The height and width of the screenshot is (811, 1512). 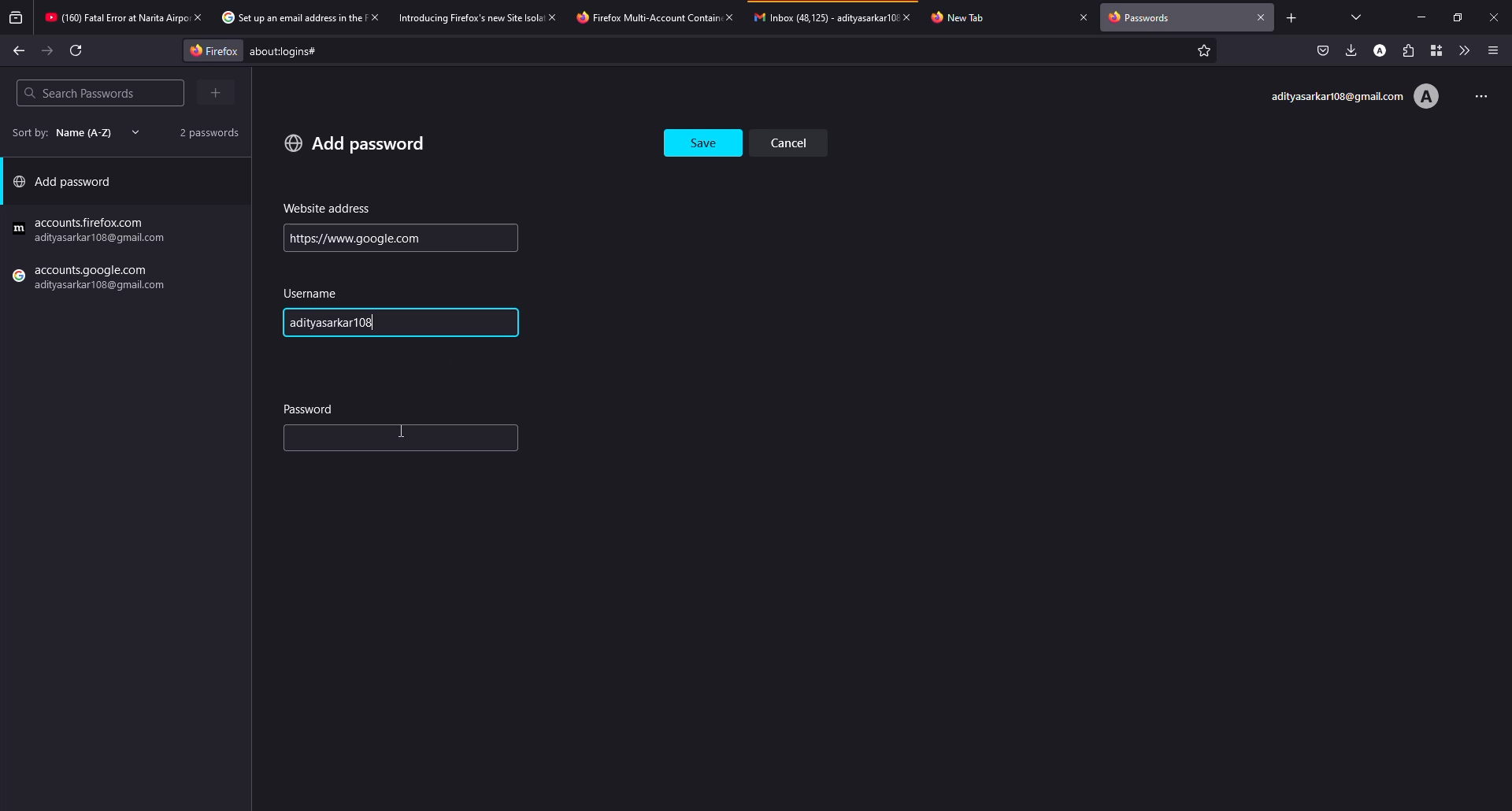 What do you see at coordinates (203, 131) in the screenshot?
I see `2 passwords` at bounding box center [203, 131].